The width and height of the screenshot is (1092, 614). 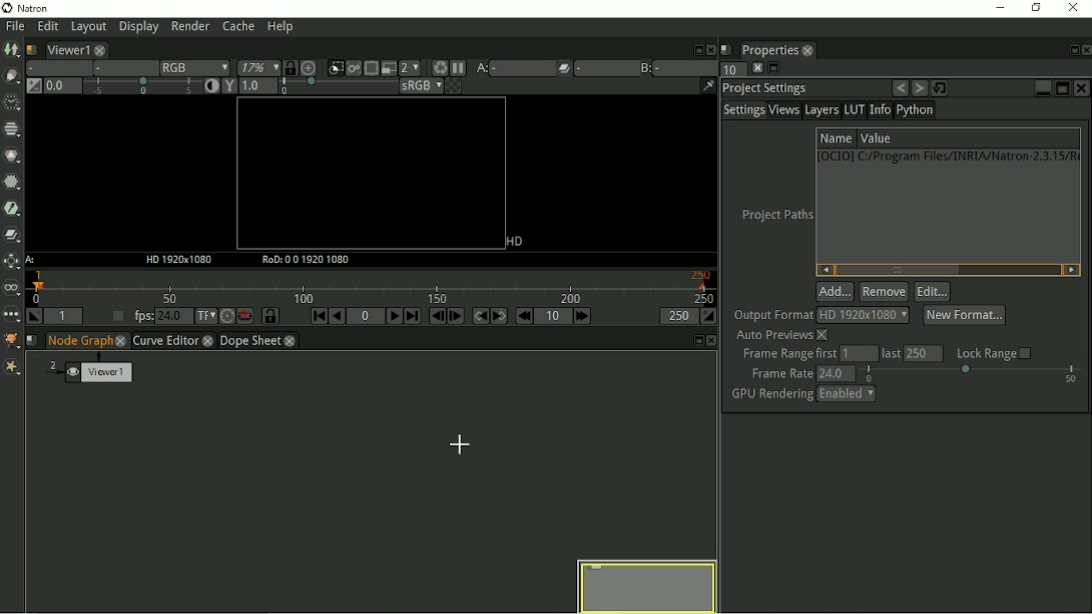 What do you see at coordinates (335, 316) in the screenshot?
I see `Play backward` at bounding box center [335, 316].